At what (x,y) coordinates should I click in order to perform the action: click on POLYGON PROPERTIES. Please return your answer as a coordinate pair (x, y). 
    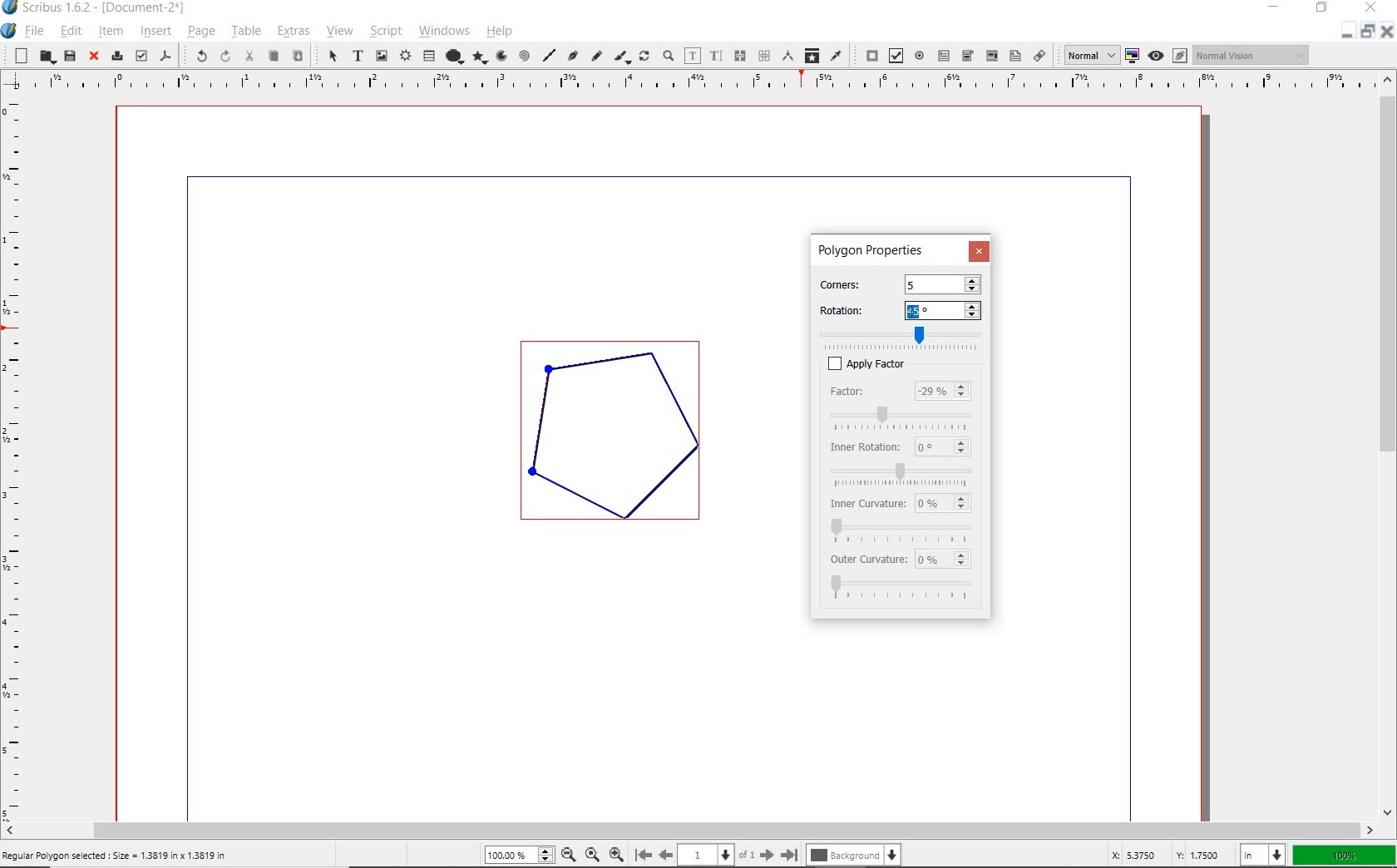
    Looking at the image, I should click on (871, 250).